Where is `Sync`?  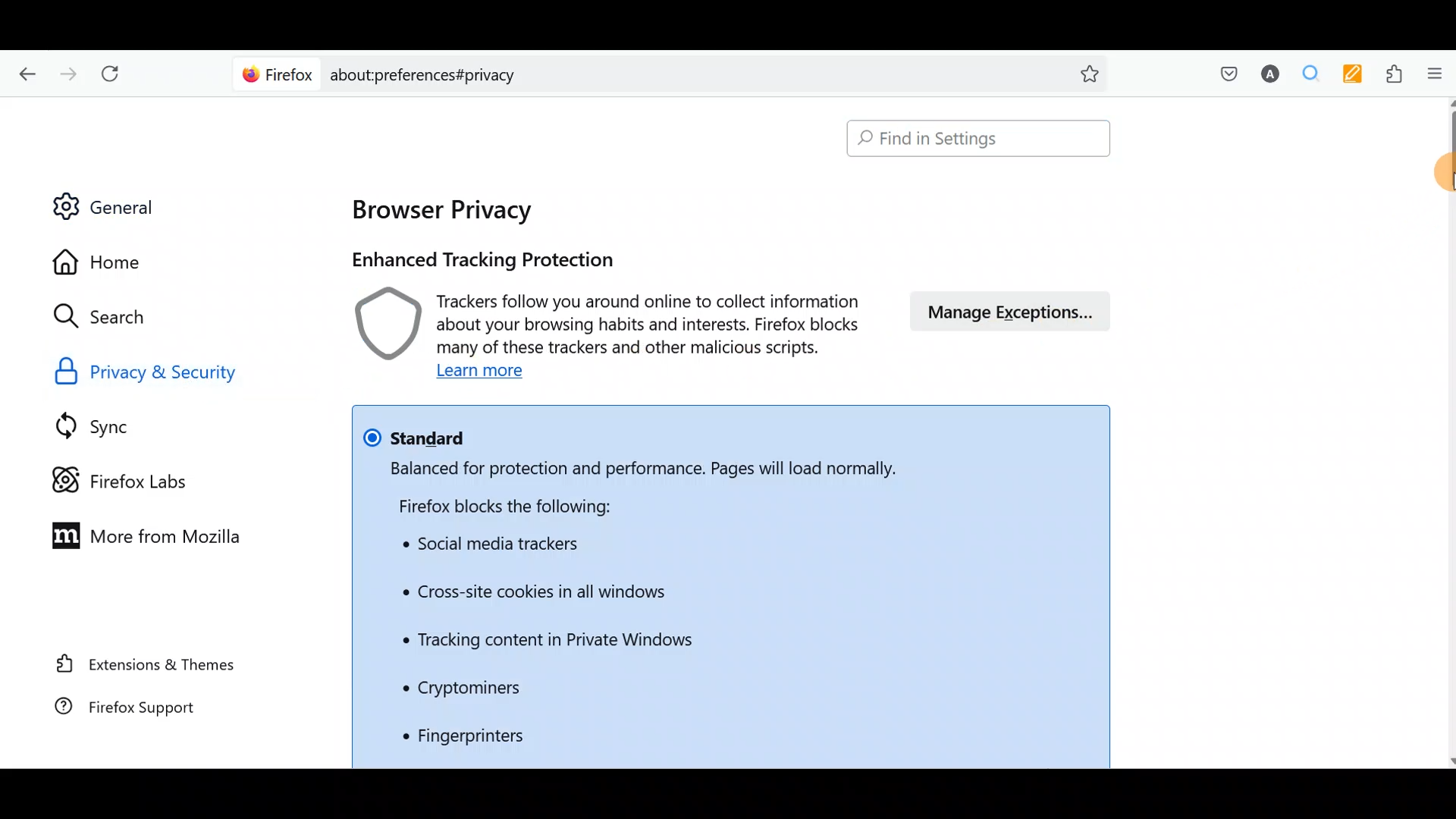 Sync is located at coordinates (113, 425).